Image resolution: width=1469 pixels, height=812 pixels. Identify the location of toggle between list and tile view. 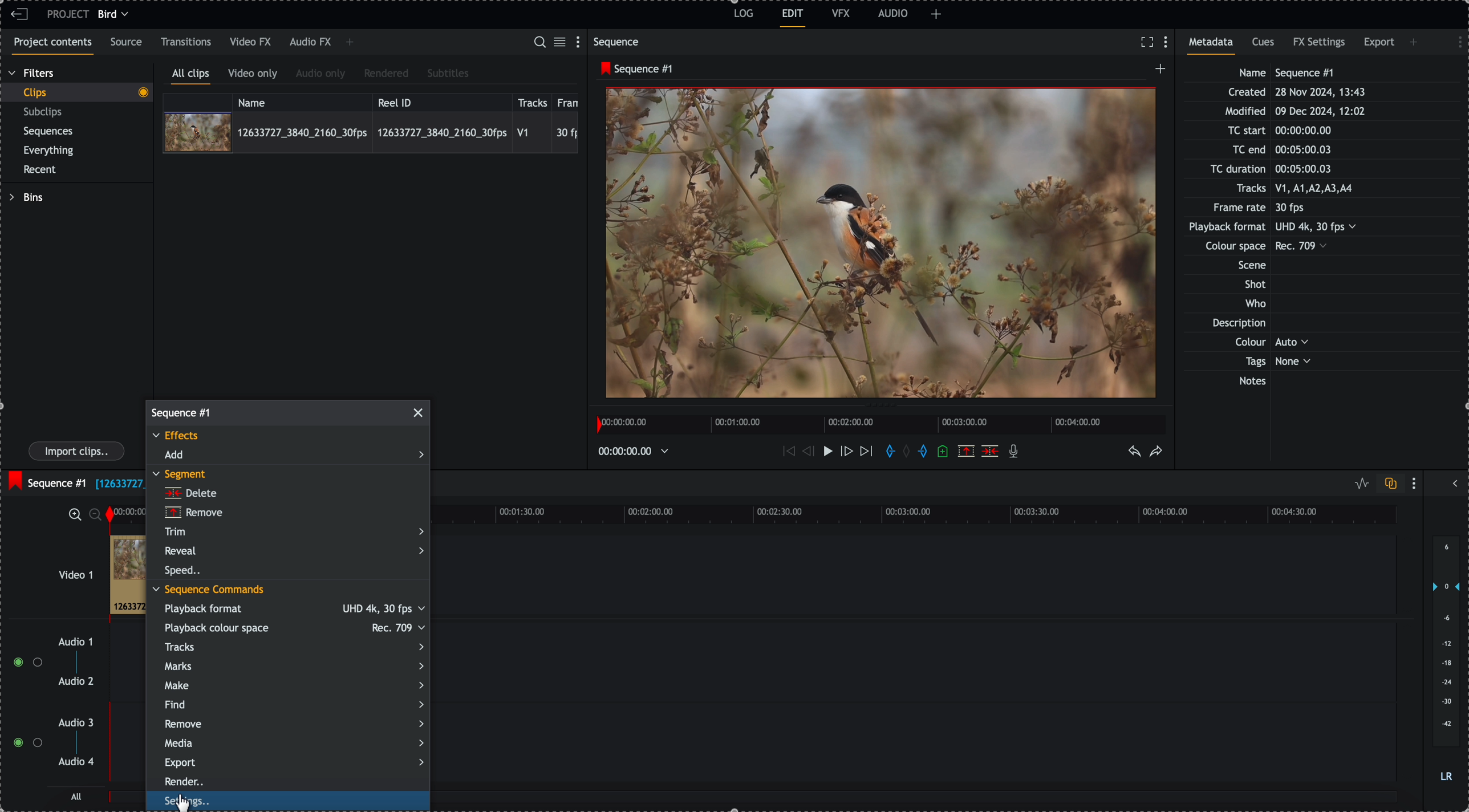
(562, 43).